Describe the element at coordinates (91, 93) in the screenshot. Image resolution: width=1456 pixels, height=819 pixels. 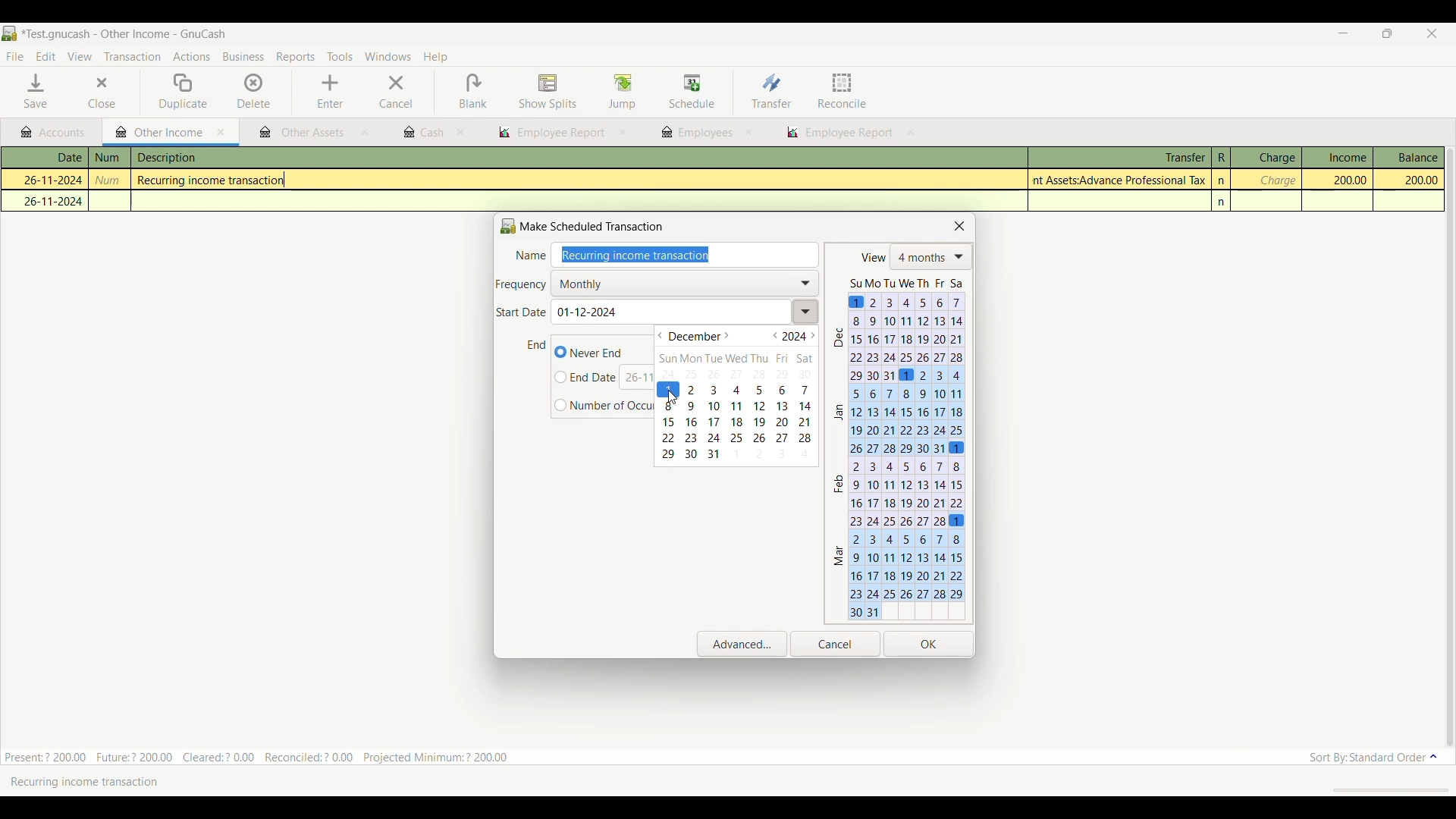
I see `Close` at that location.